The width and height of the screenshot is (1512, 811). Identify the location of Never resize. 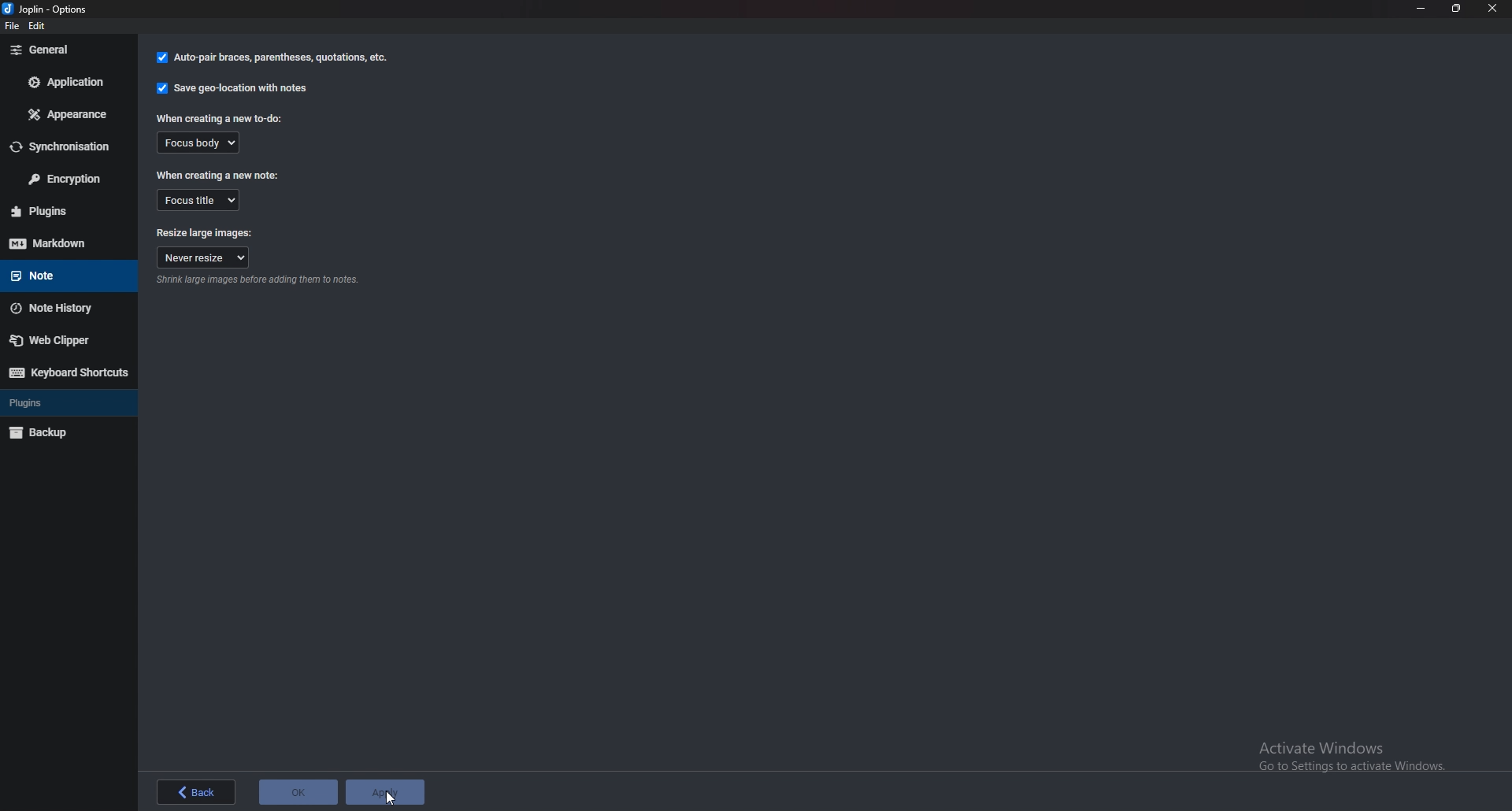
(203, 258).